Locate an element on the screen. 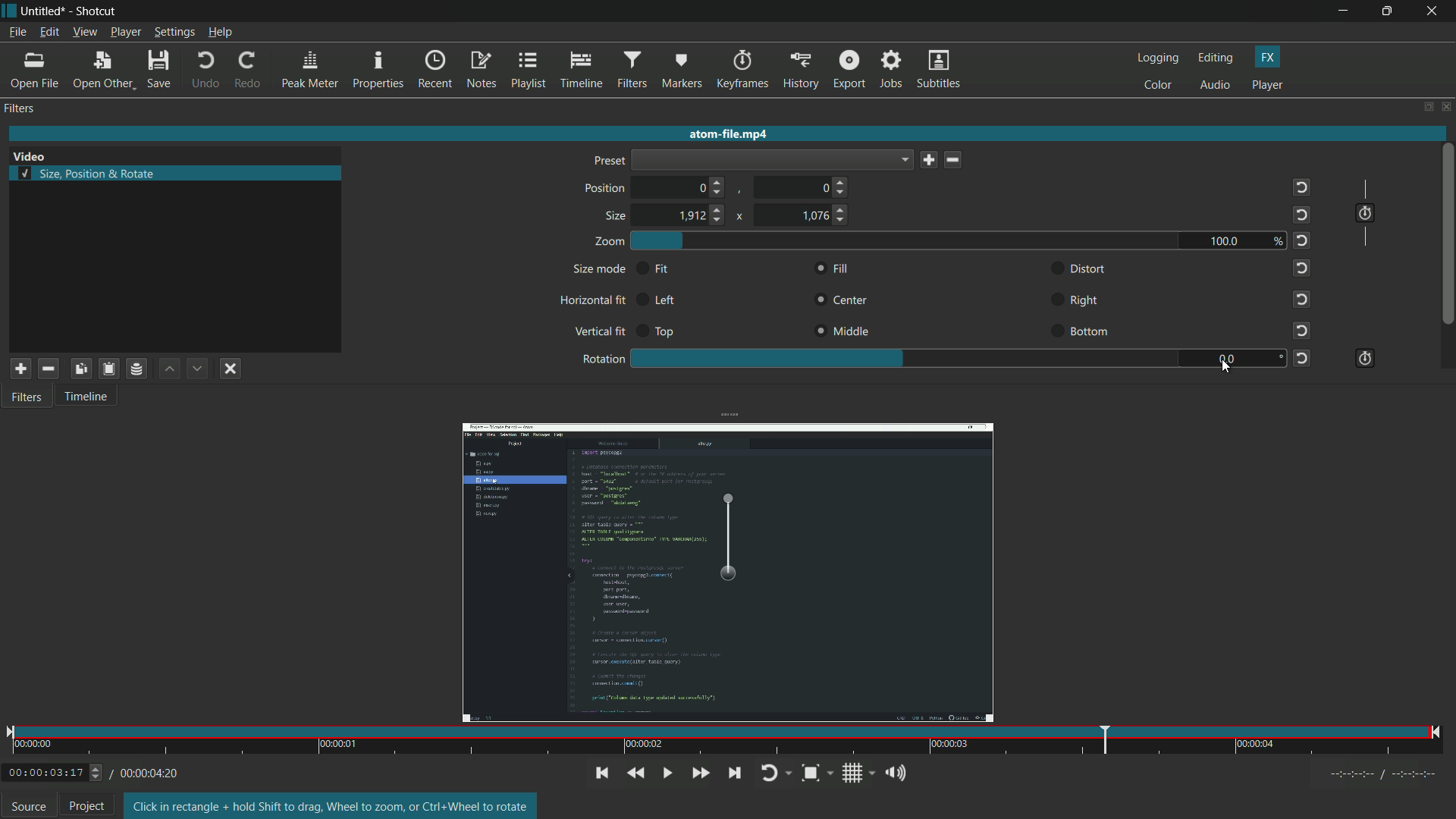  dropdown is located at coordinates (773, 159).